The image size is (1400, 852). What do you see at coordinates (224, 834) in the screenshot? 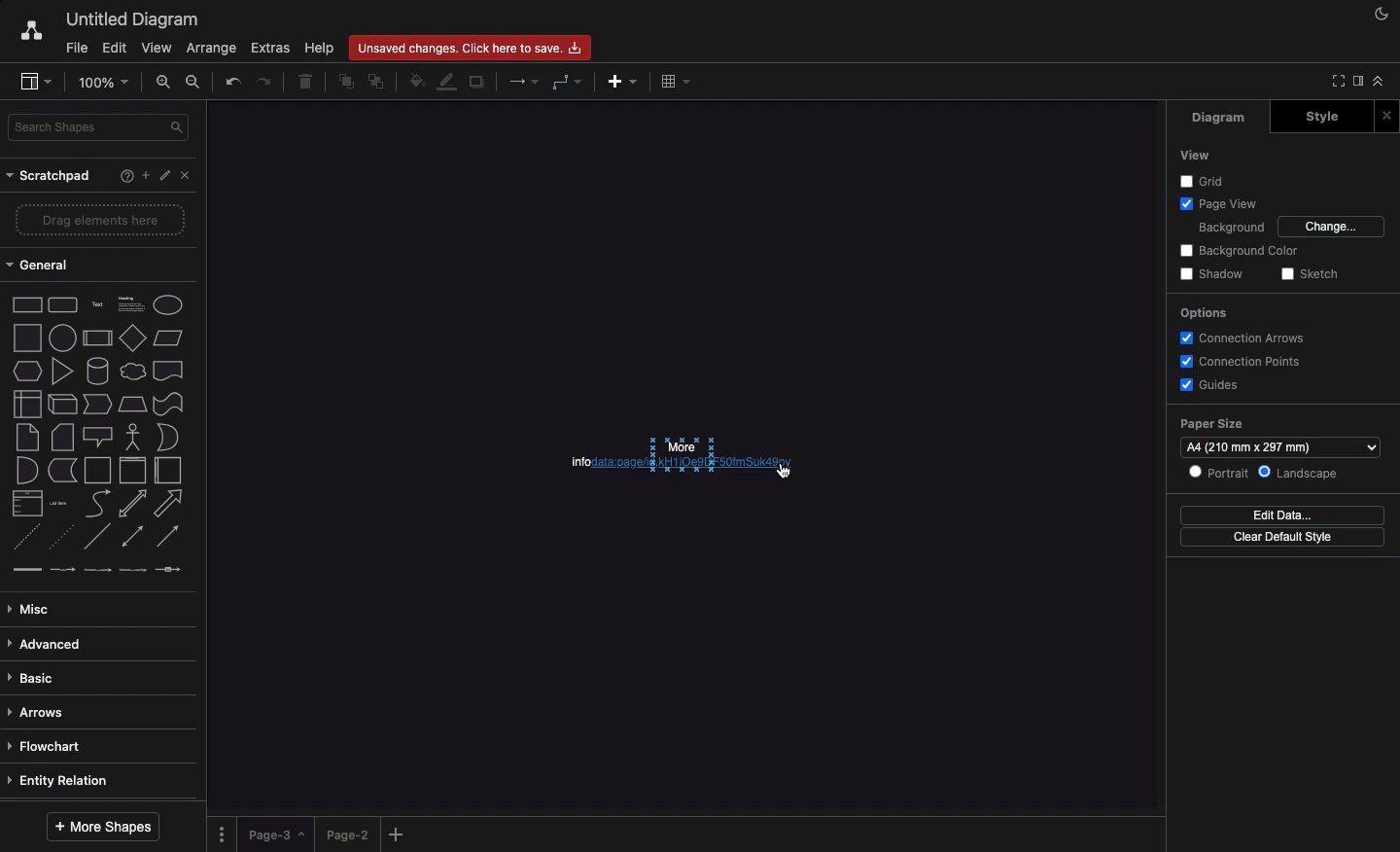
I see `Options` at bounding box center [224, 834].